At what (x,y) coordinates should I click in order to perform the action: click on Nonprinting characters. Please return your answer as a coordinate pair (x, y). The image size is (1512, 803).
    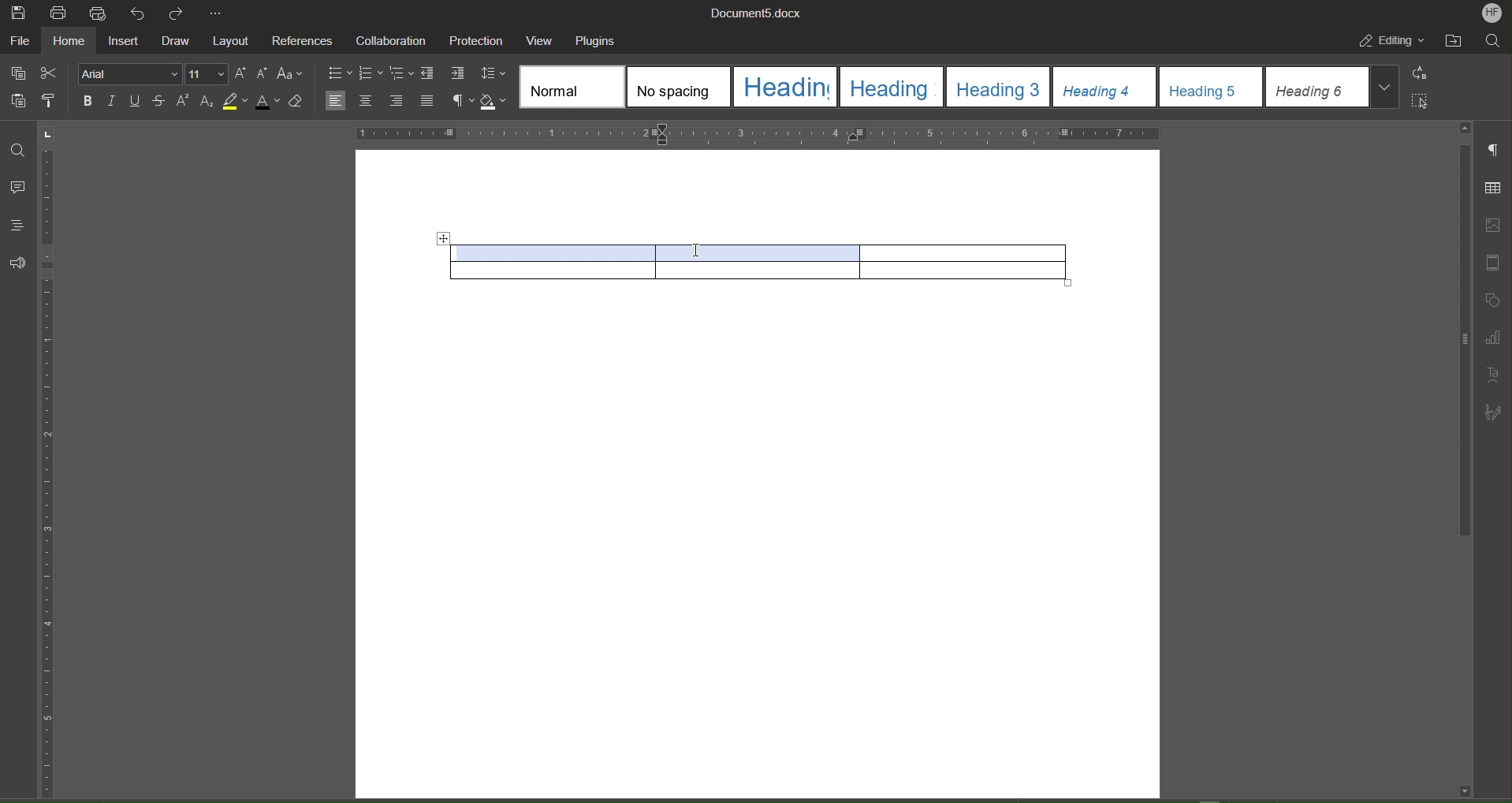
    Looking at the image, I should click on (462, 102).